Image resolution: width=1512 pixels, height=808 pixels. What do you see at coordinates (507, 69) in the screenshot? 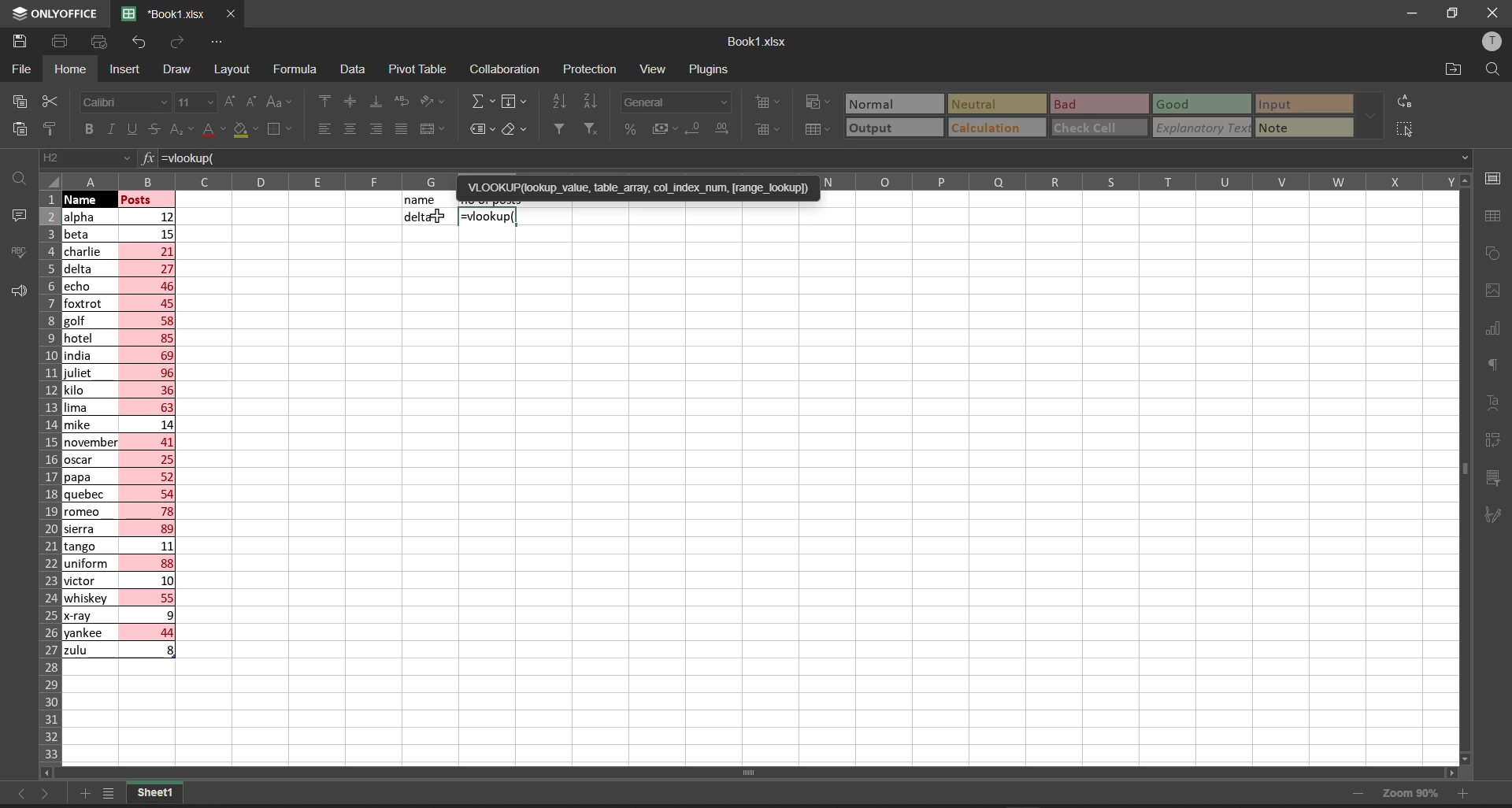
I see `collaboration` at bounding box center [507, 69].